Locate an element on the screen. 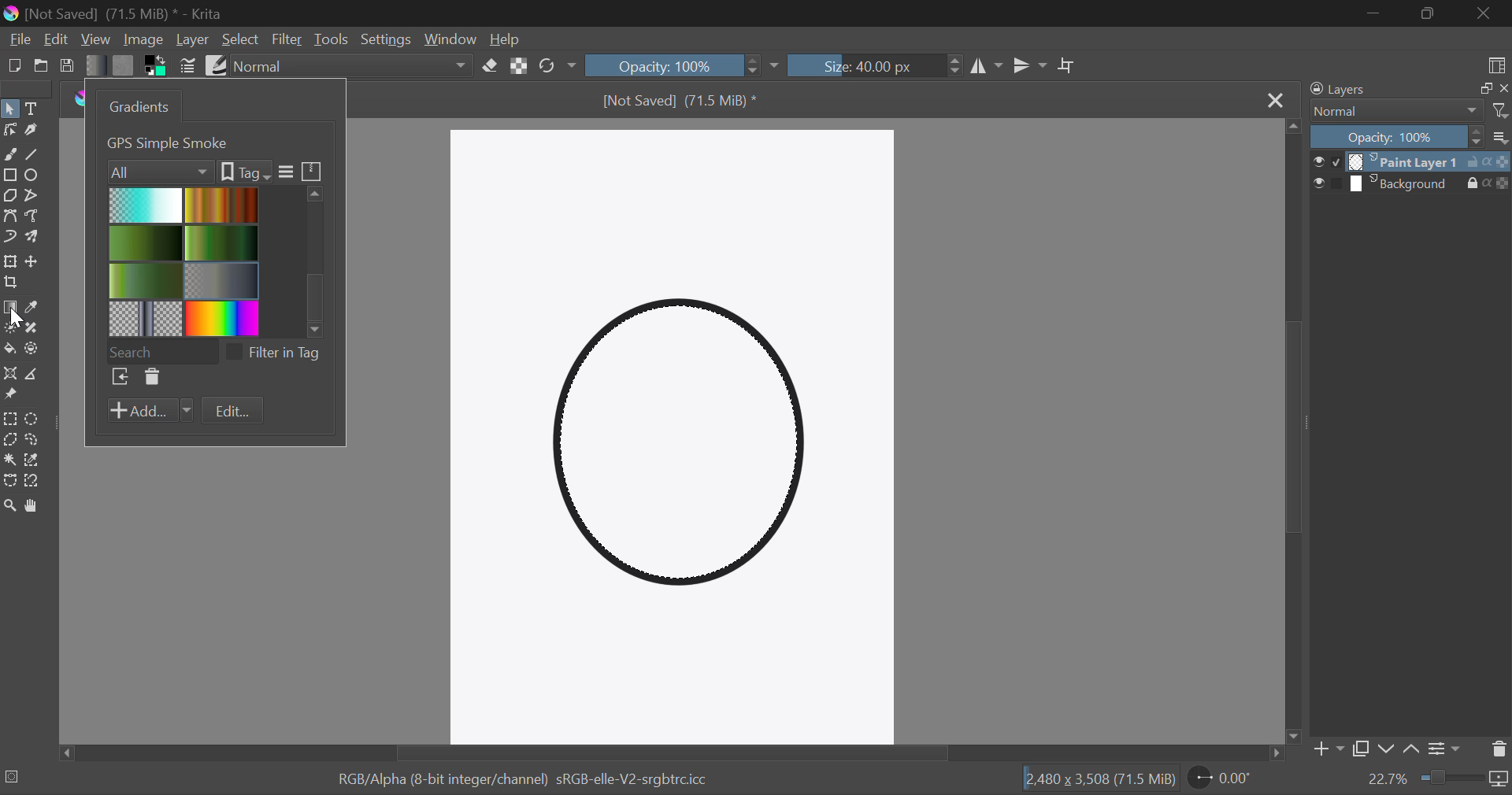 This screenshot has width=1512, height=795. Dynamic Brush is located at coordinates (10, 238).